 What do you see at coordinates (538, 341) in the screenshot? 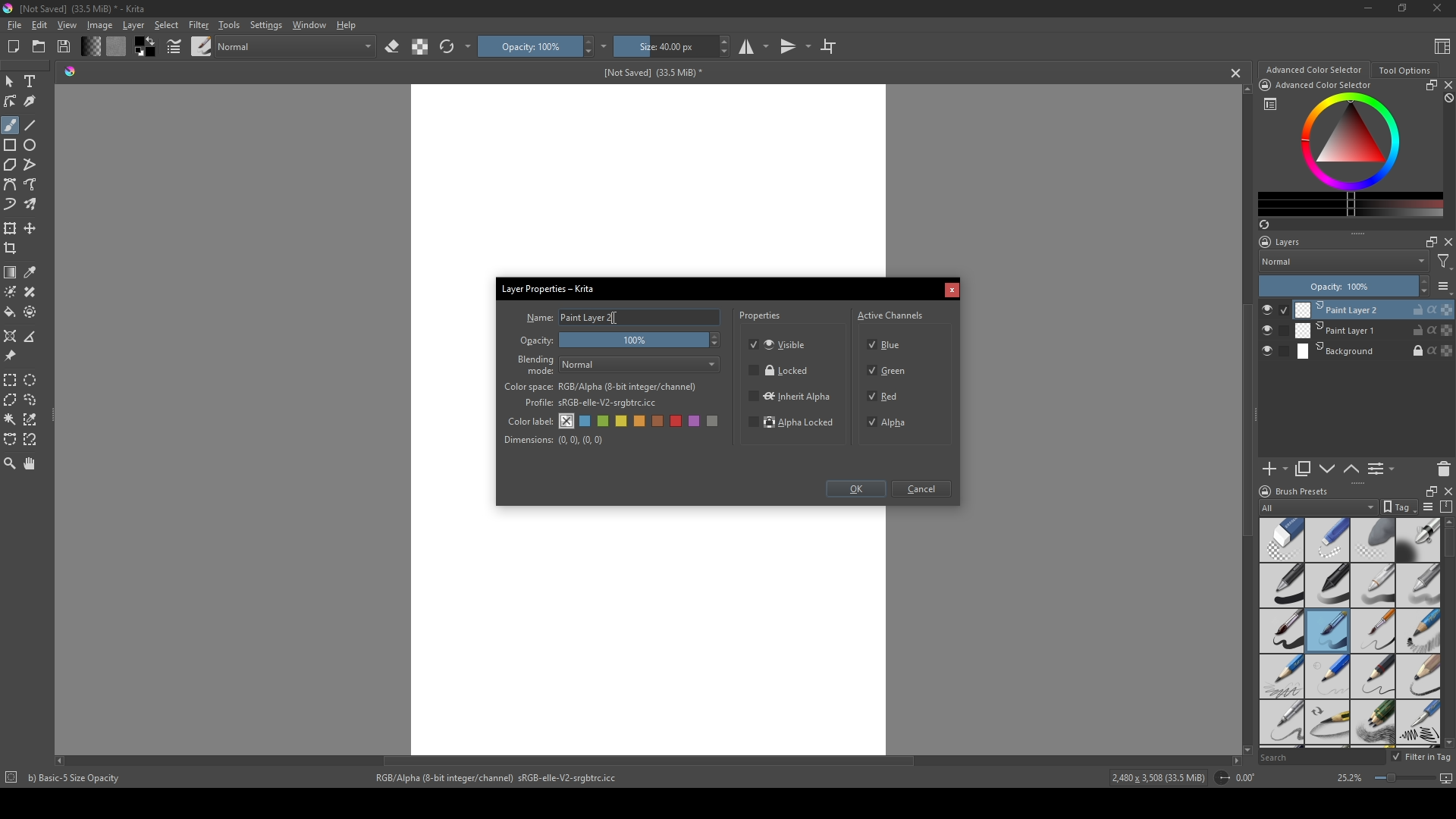
I see `Opacity` at bounding box center [538, 341].